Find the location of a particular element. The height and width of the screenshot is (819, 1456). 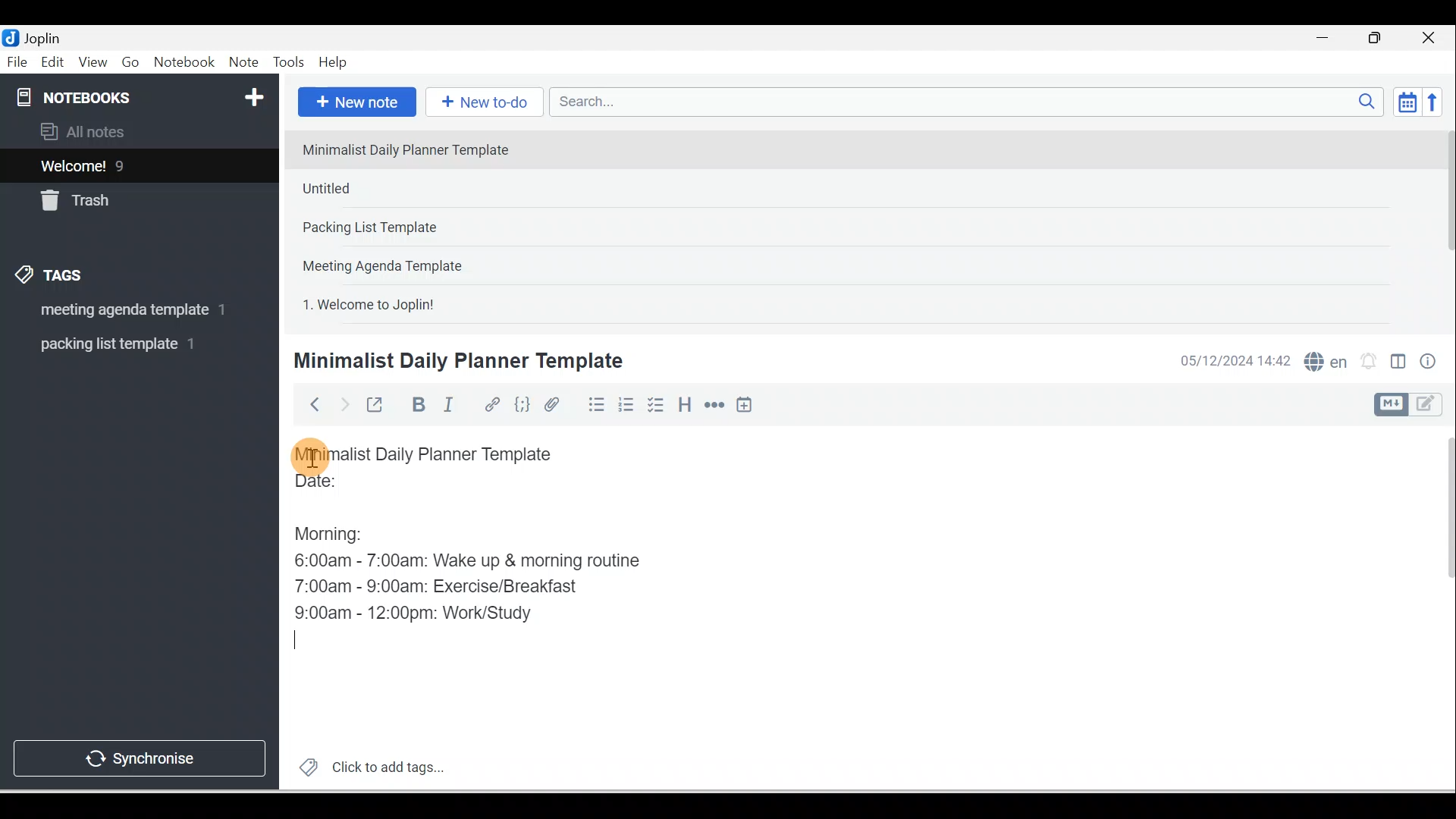

Notebook is located at coordinates (184, 63).